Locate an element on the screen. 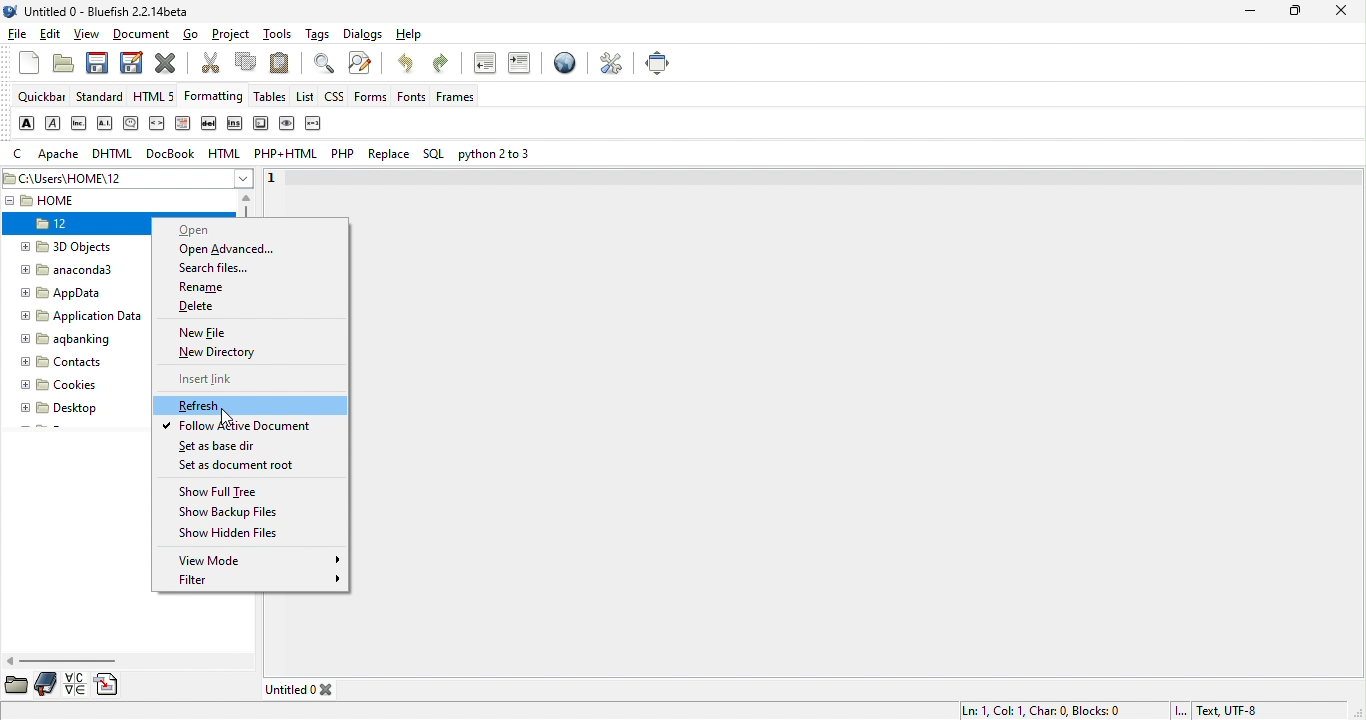 This screenshot has height=720, width=1366. refresh is located at coordinates (250, 406).